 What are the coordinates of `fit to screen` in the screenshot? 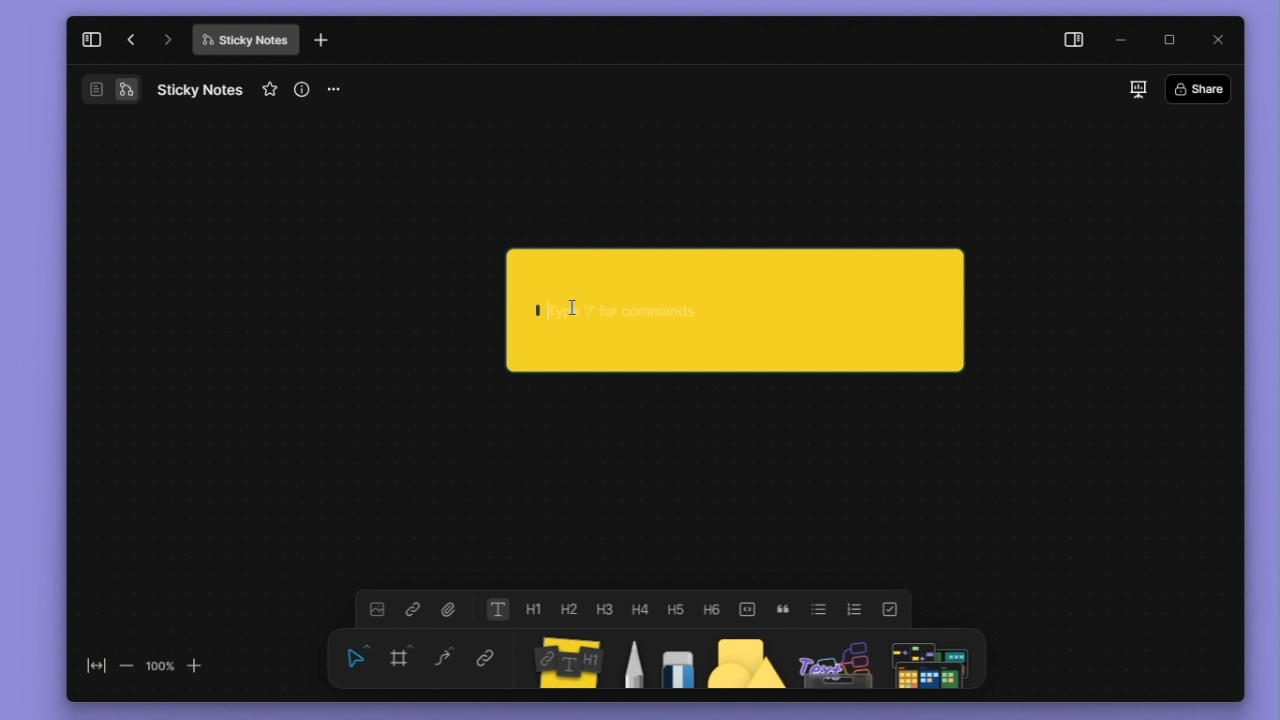 It's located at (89, 661).